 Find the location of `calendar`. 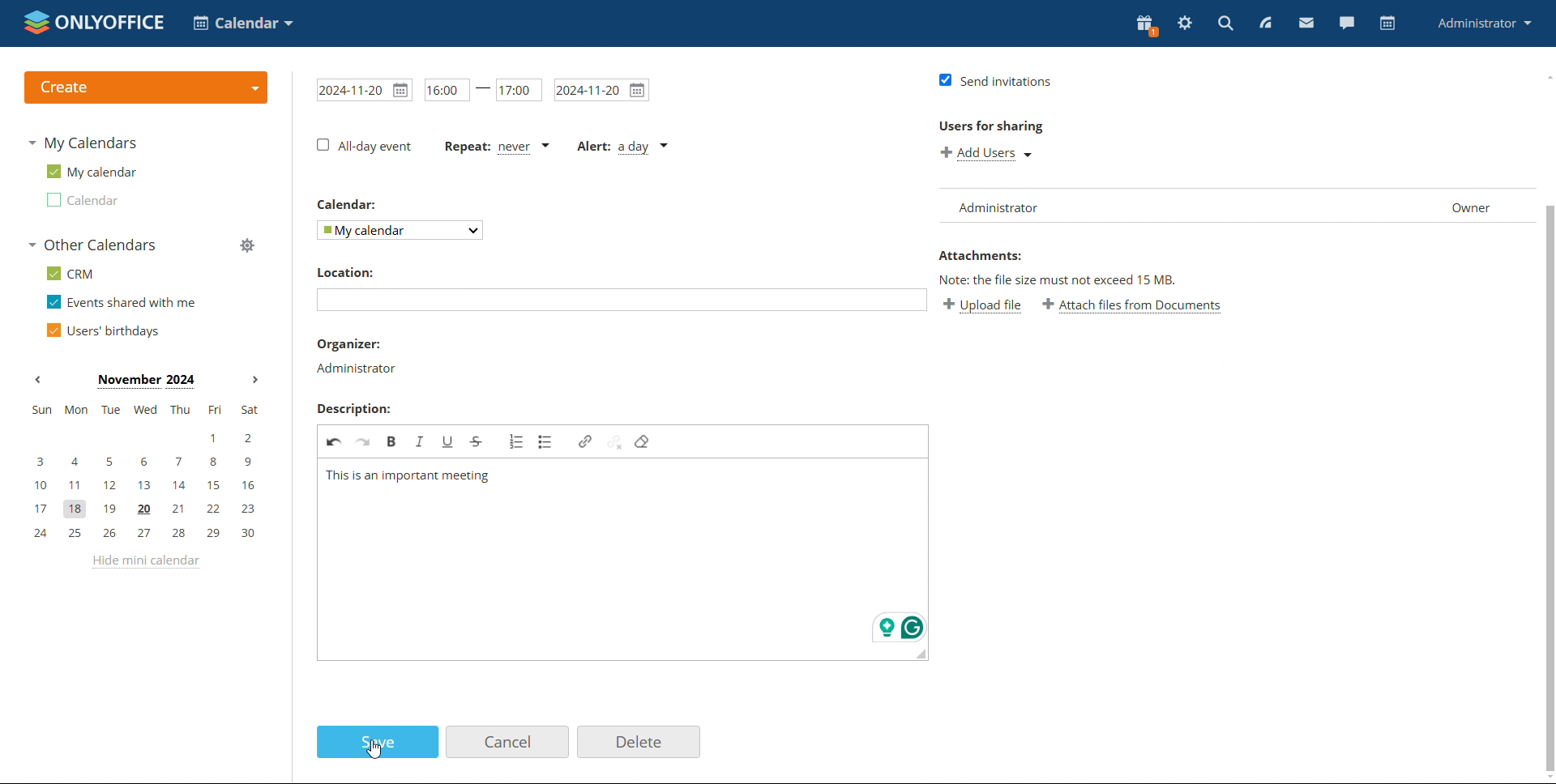

calendar is located at coordinates (1389, 23).